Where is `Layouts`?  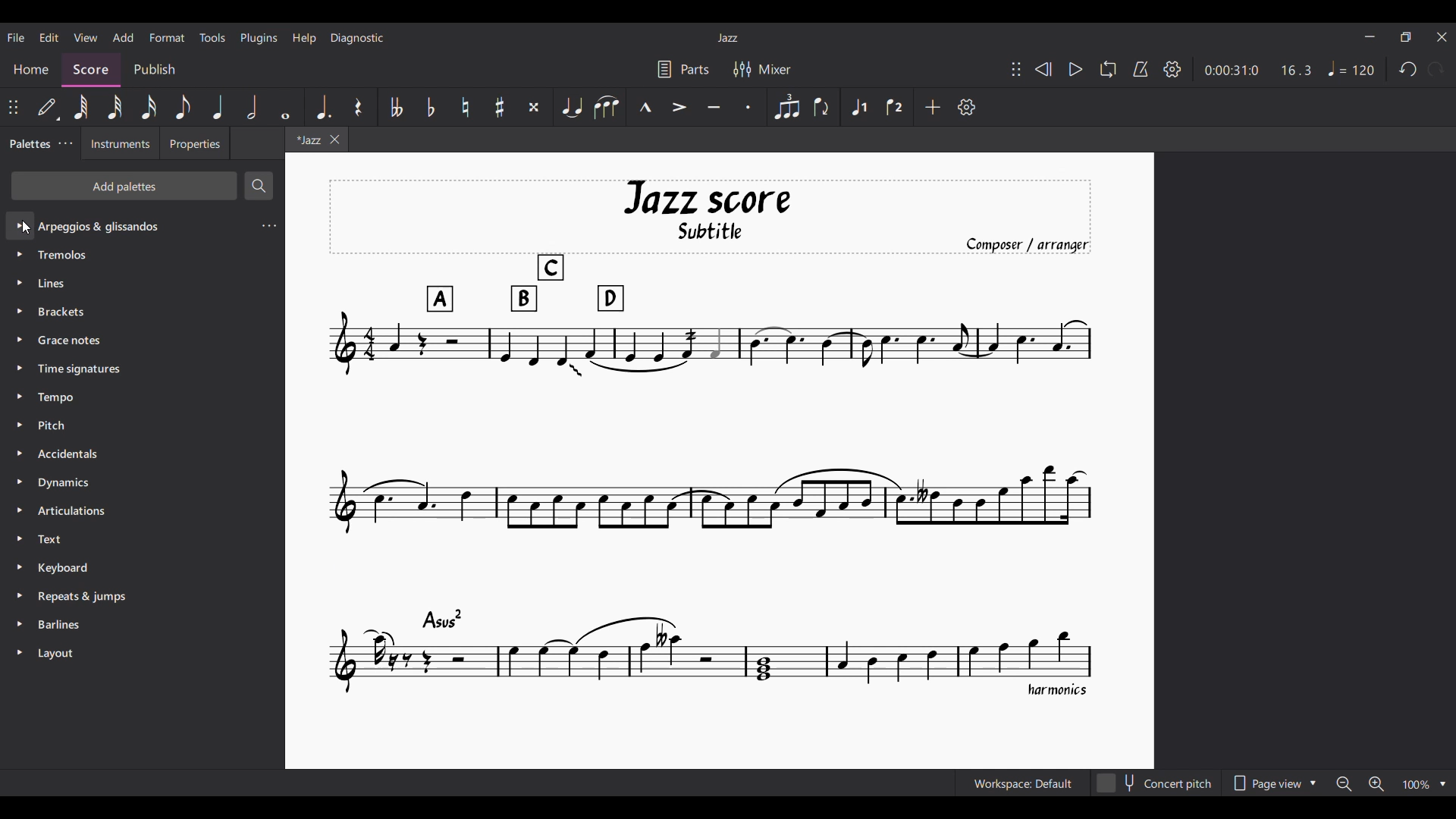
Layouts is located at coordinates (63, 655).